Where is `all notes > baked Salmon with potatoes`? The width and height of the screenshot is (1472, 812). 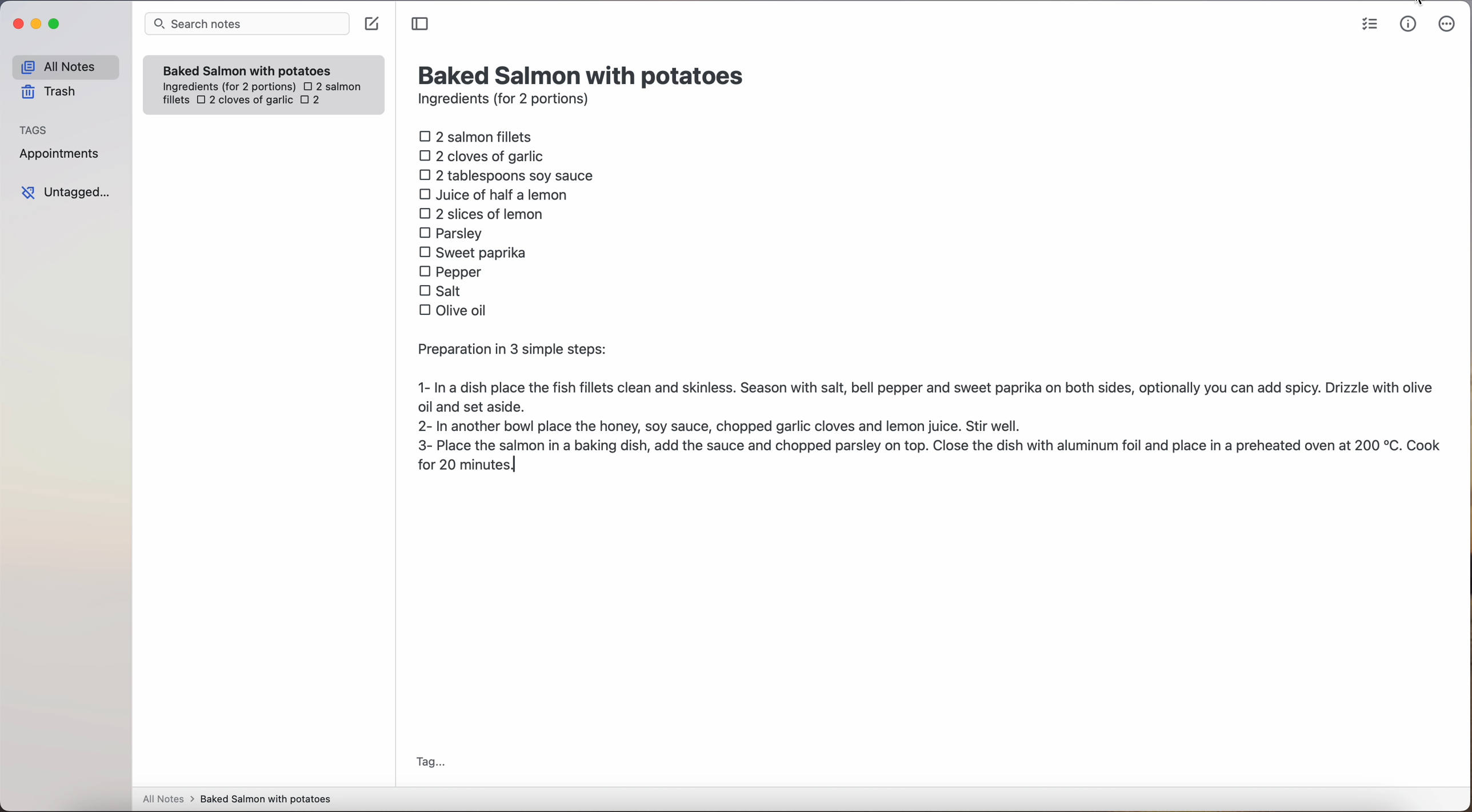 all notes > baked Salmon with potatoes is located at coordinates (237, 798).